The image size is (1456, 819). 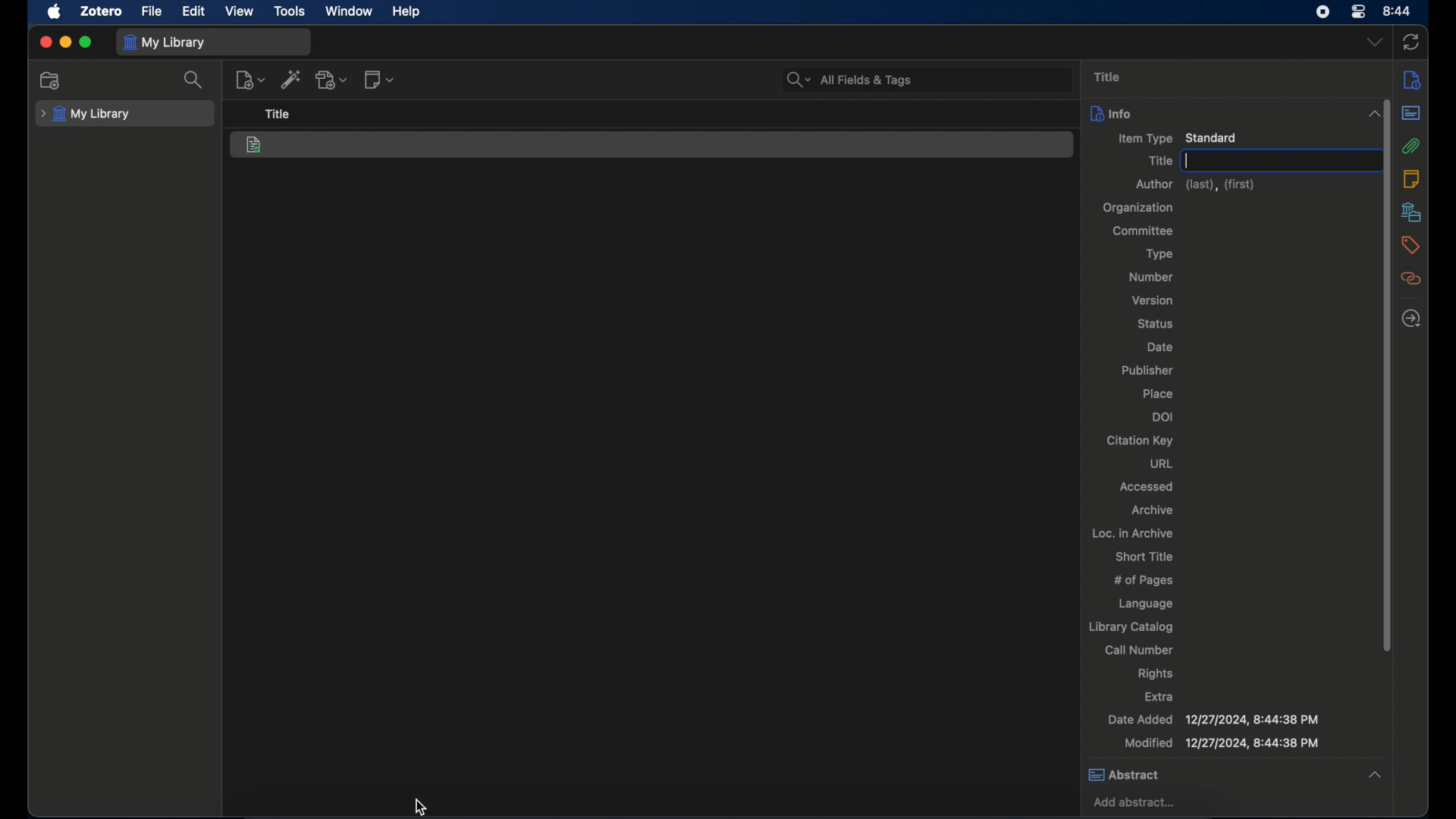 I want to click on locate, so click(x=1410, y=319).